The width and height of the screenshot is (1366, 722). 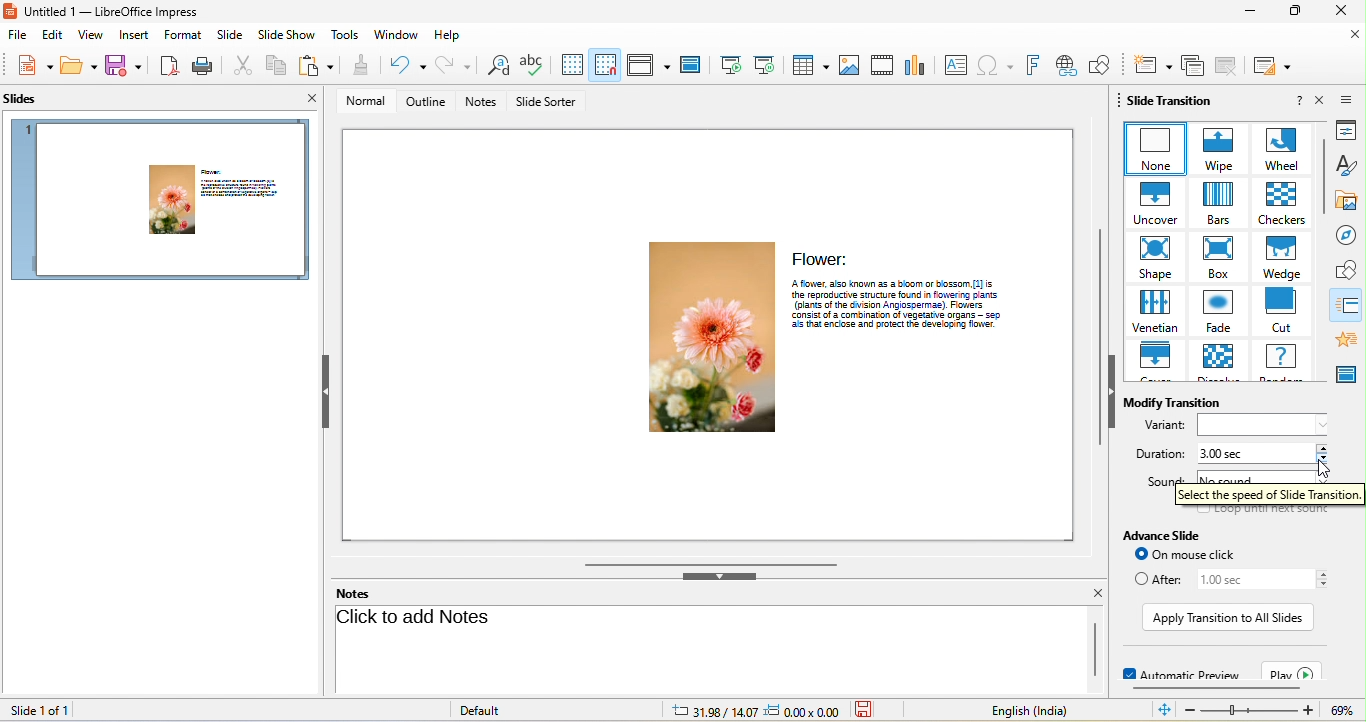 I want to click on notes, so click(x=352, y=593).